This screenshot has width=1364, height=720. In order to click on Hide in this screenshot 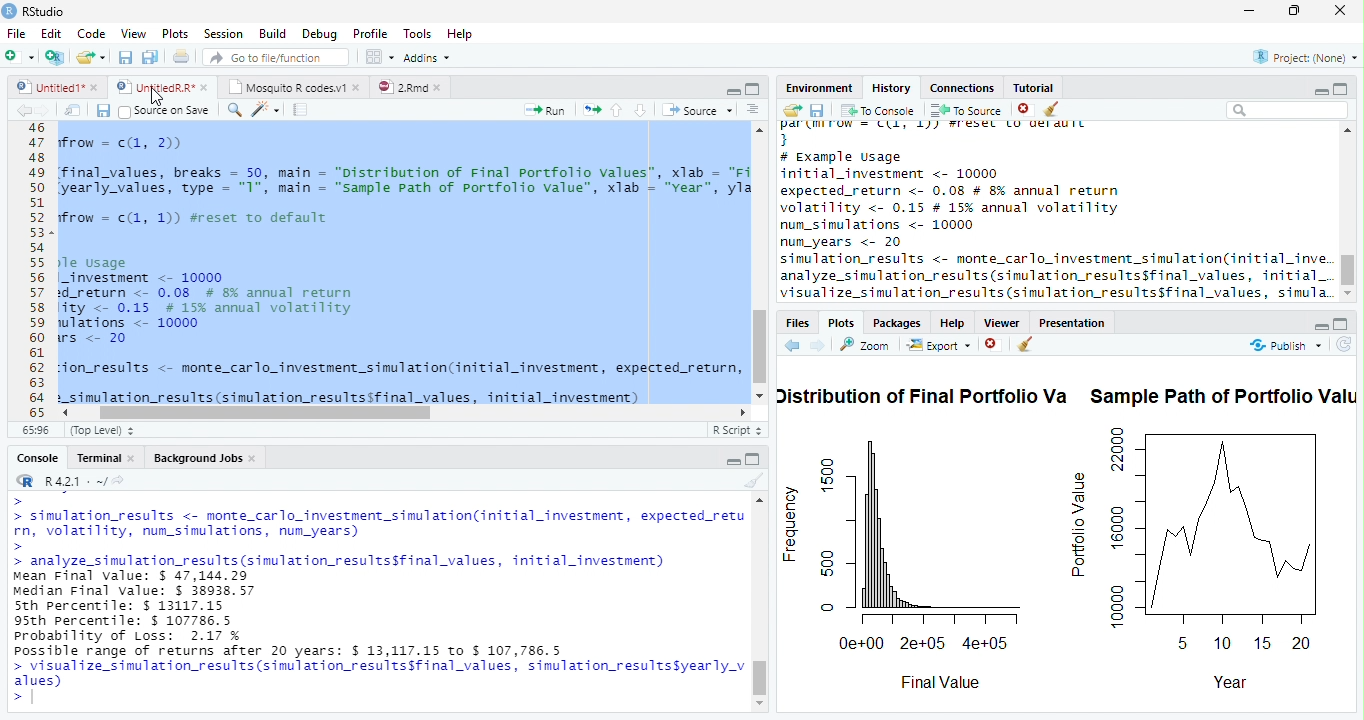, I will do `click(732, 461)`.